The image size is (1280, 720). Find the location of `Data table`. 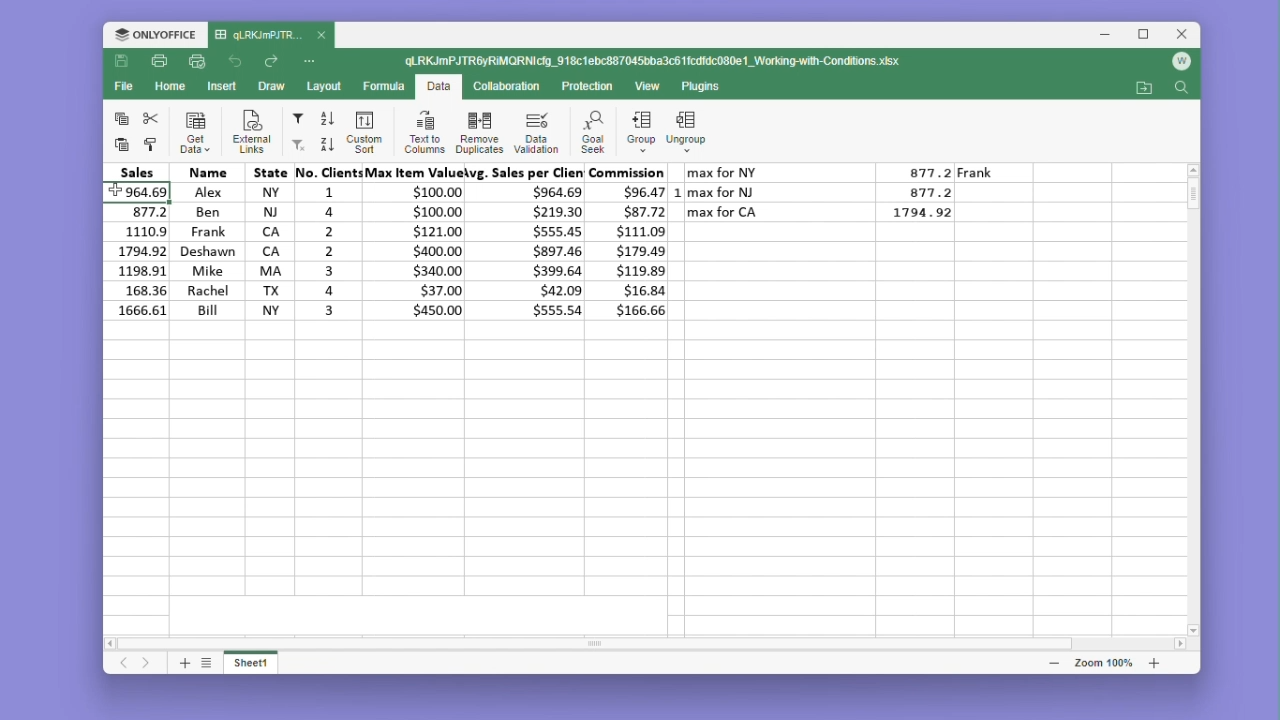

Data table is located at coordinates (839, 198).